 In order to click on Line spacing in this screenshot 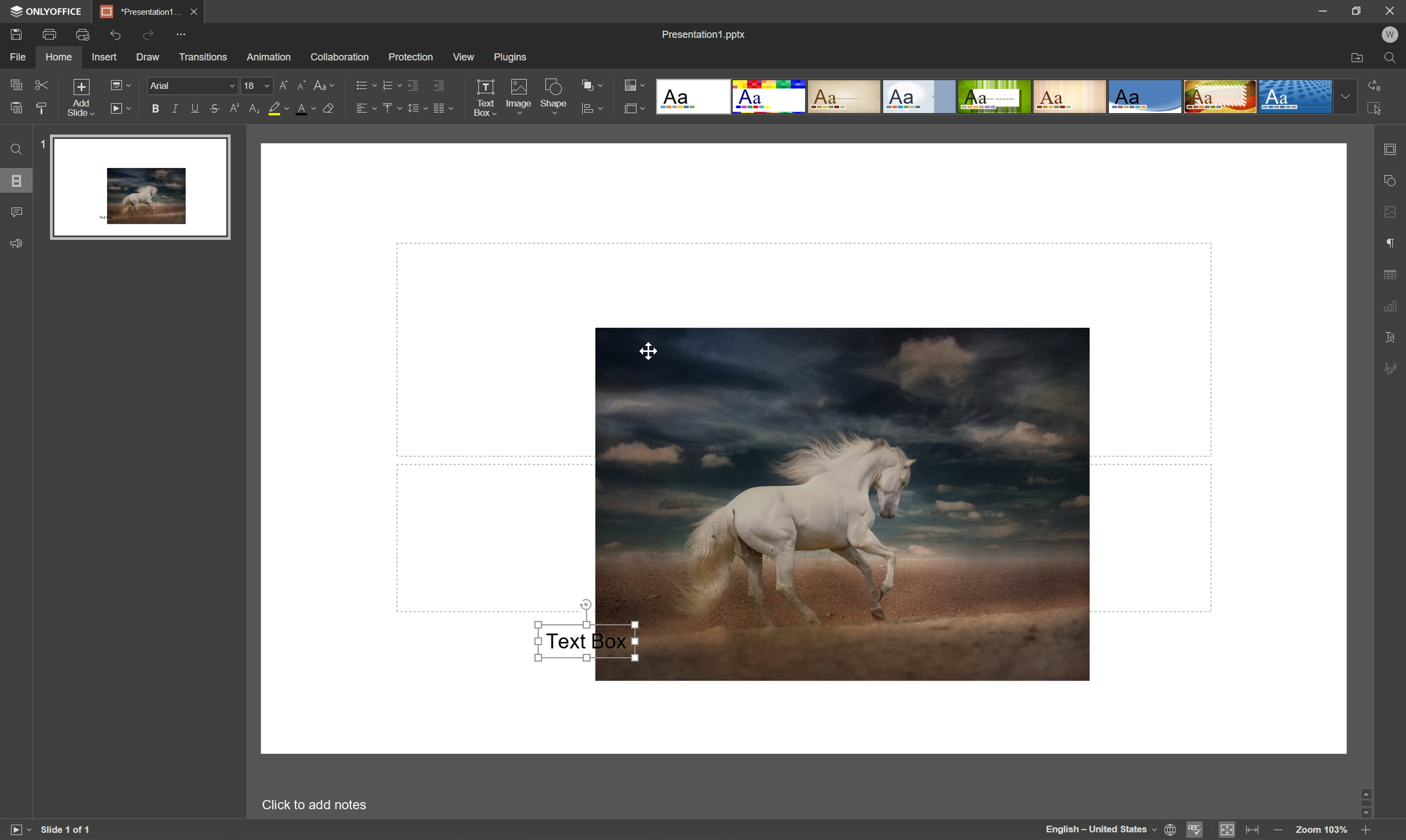, I will do `click(415, 108)`.